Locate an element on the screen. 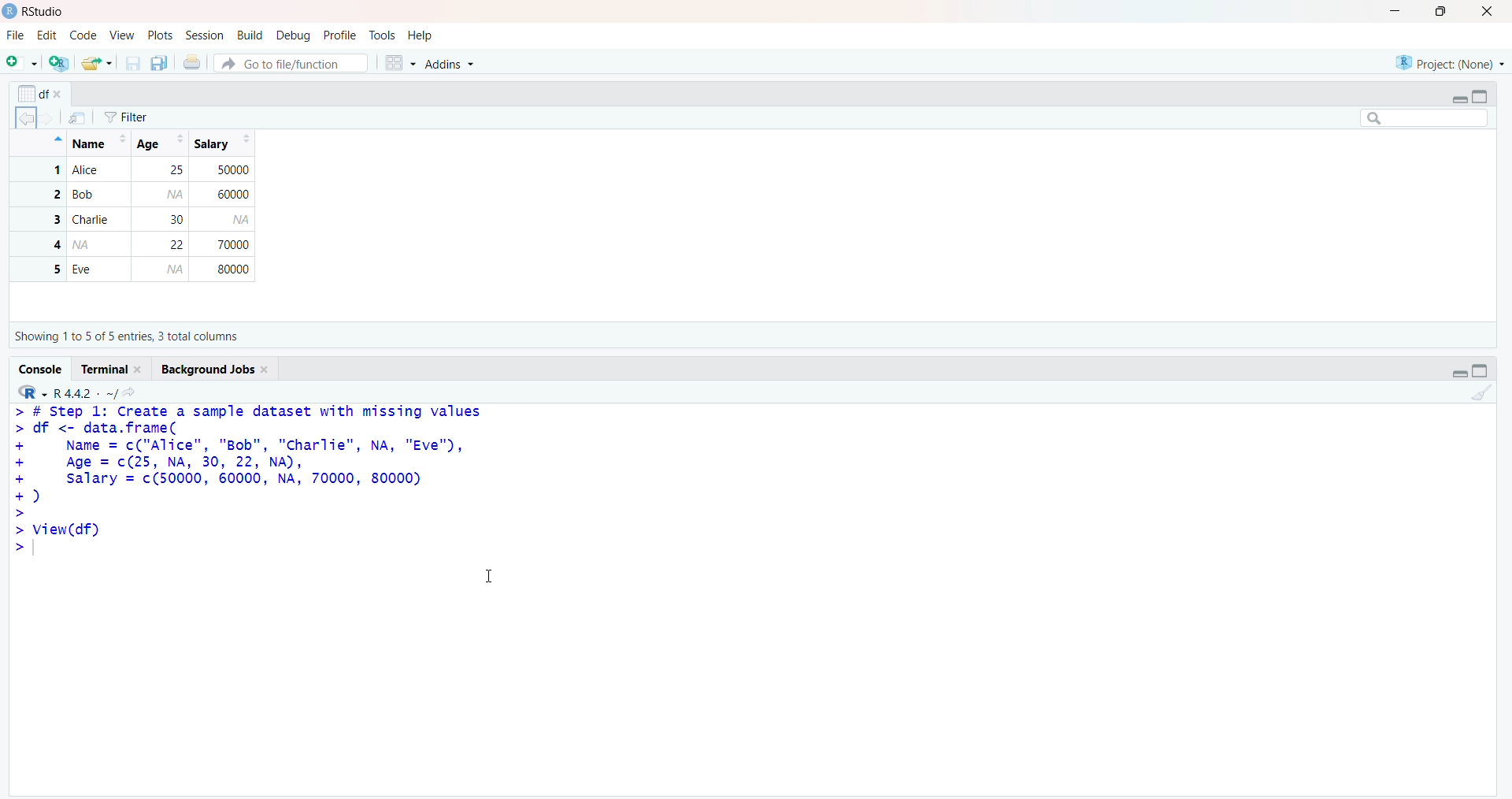  Posts is located at coordinates (160, 34).